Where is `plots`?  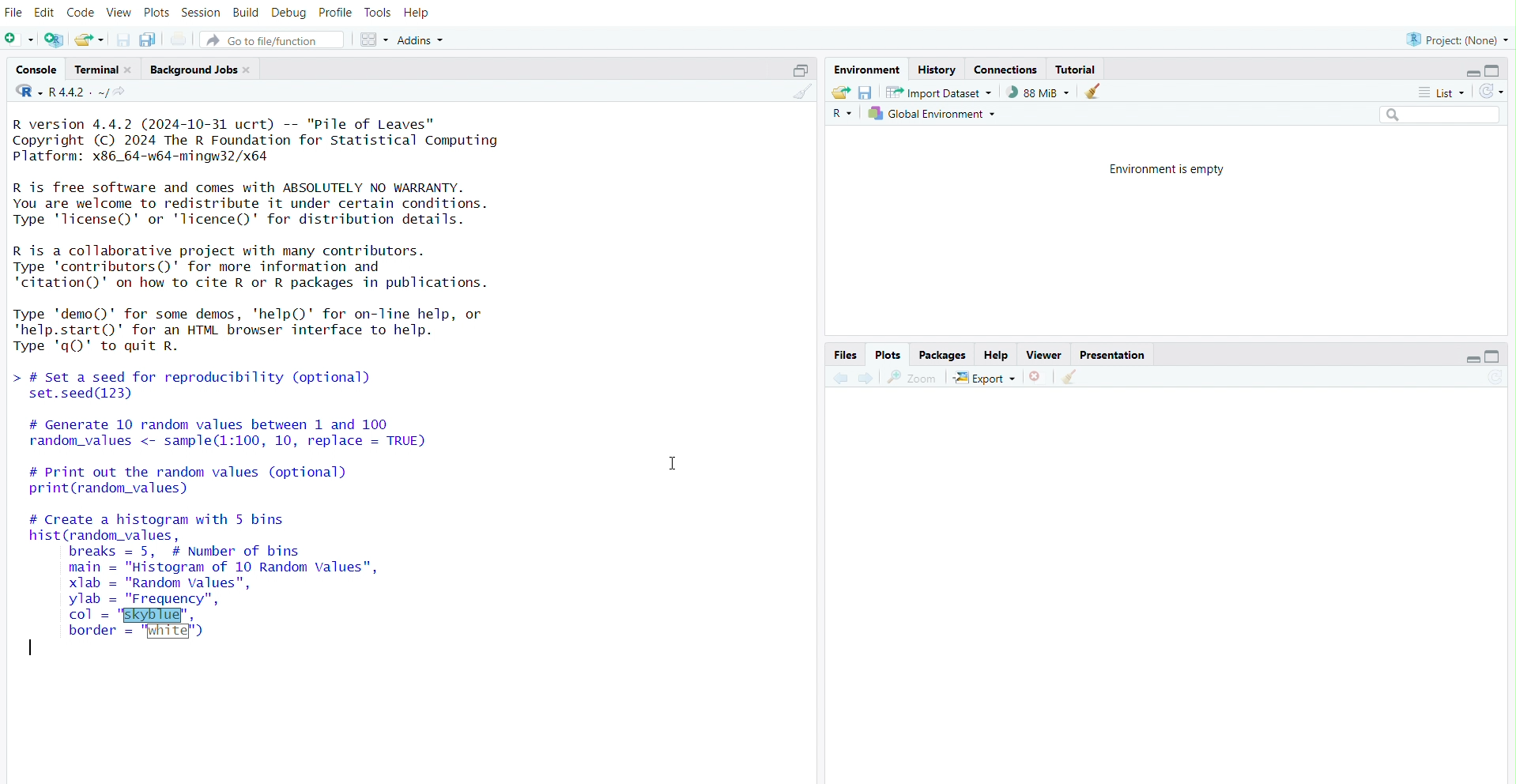
plots is located at coordinates (889, 355).